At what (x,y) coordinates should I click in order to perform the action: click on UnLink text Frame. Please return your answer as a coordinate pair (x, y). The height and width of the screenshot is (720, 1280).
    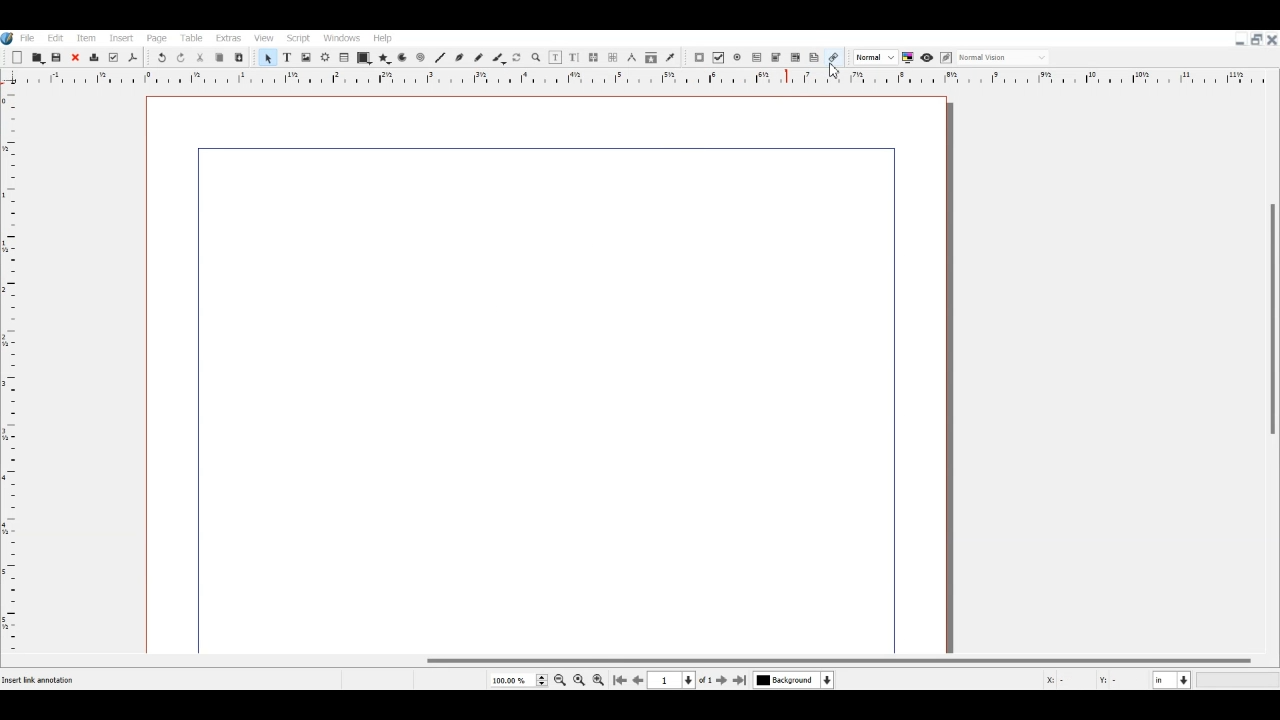
    Looking at the image, I should click on (613, 58).